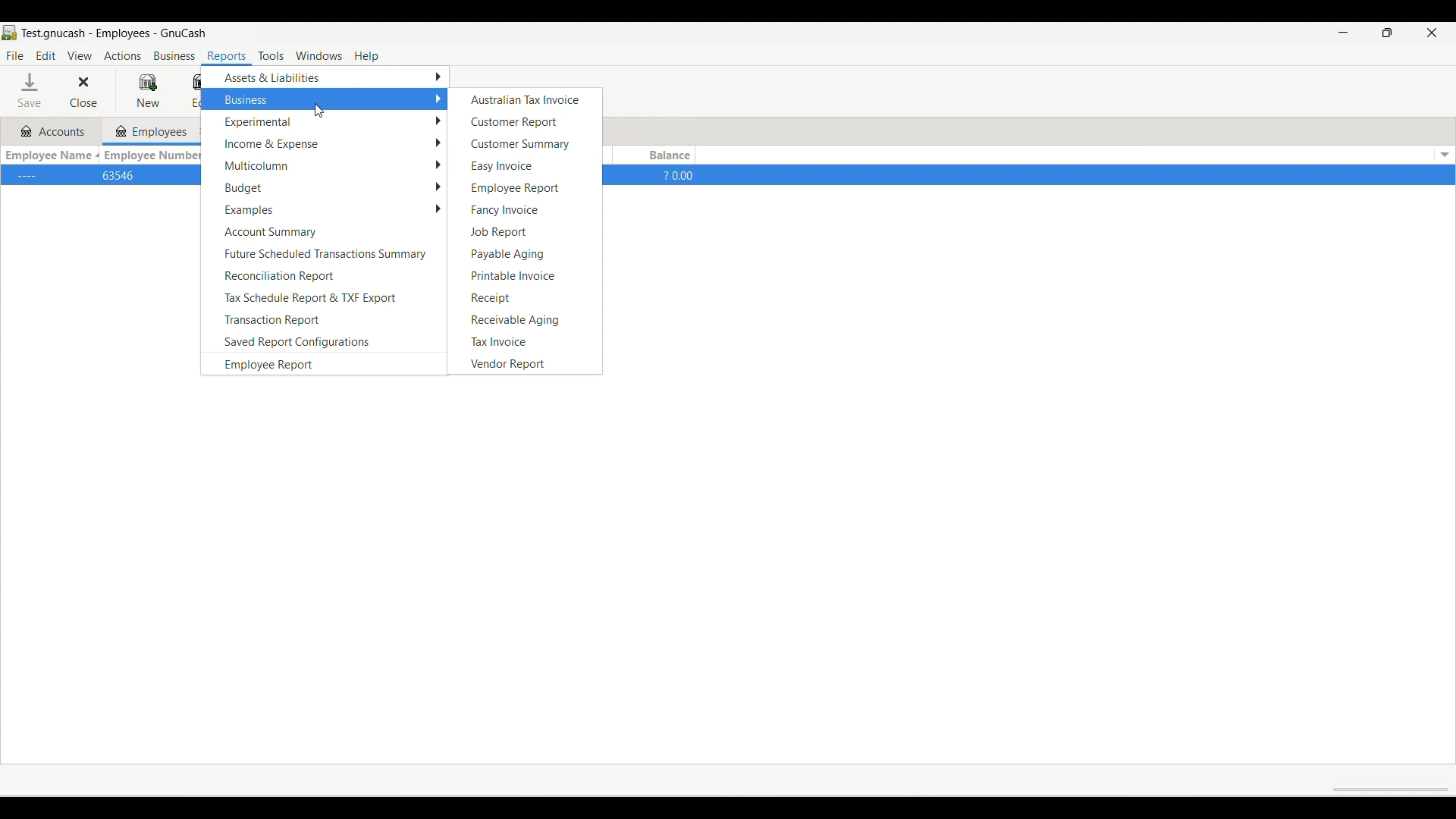 This screenshot has width=1456, height=819. Describe the element at coordinates (525, 122) in the screenshot. I see `Customer report` at that location.